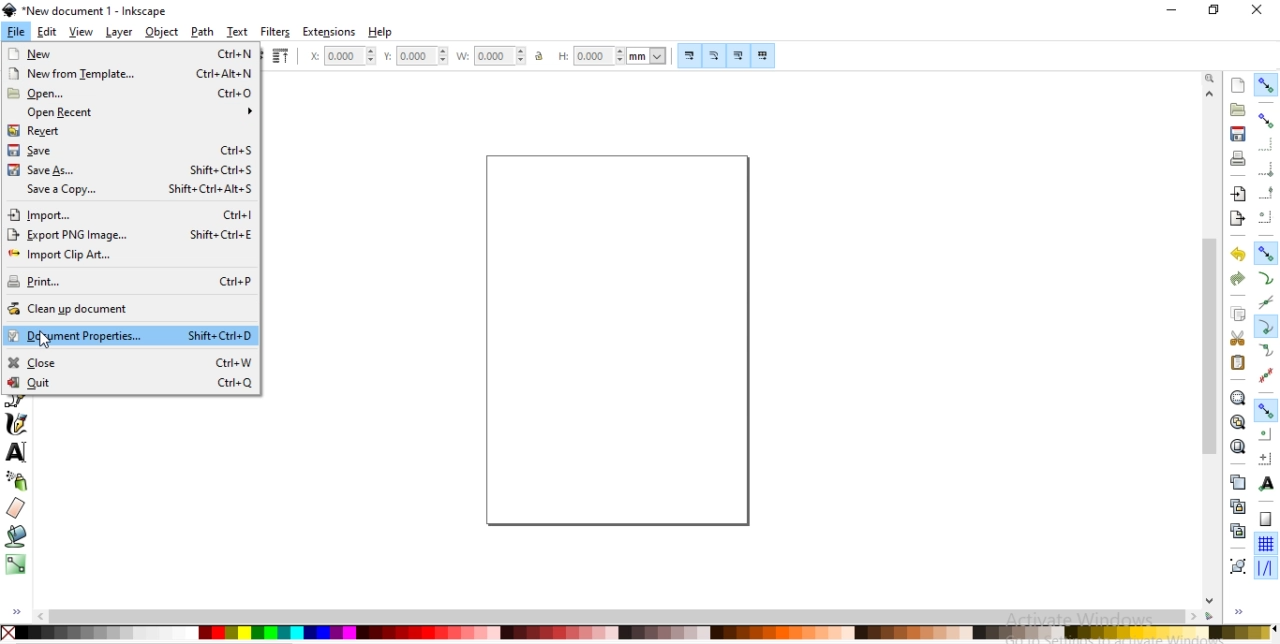 The image size is (1280, 644). What do you see at coordinates (281, 57) in the screenshot?
I see `raise selection to top` at bounding box center [281, 57].